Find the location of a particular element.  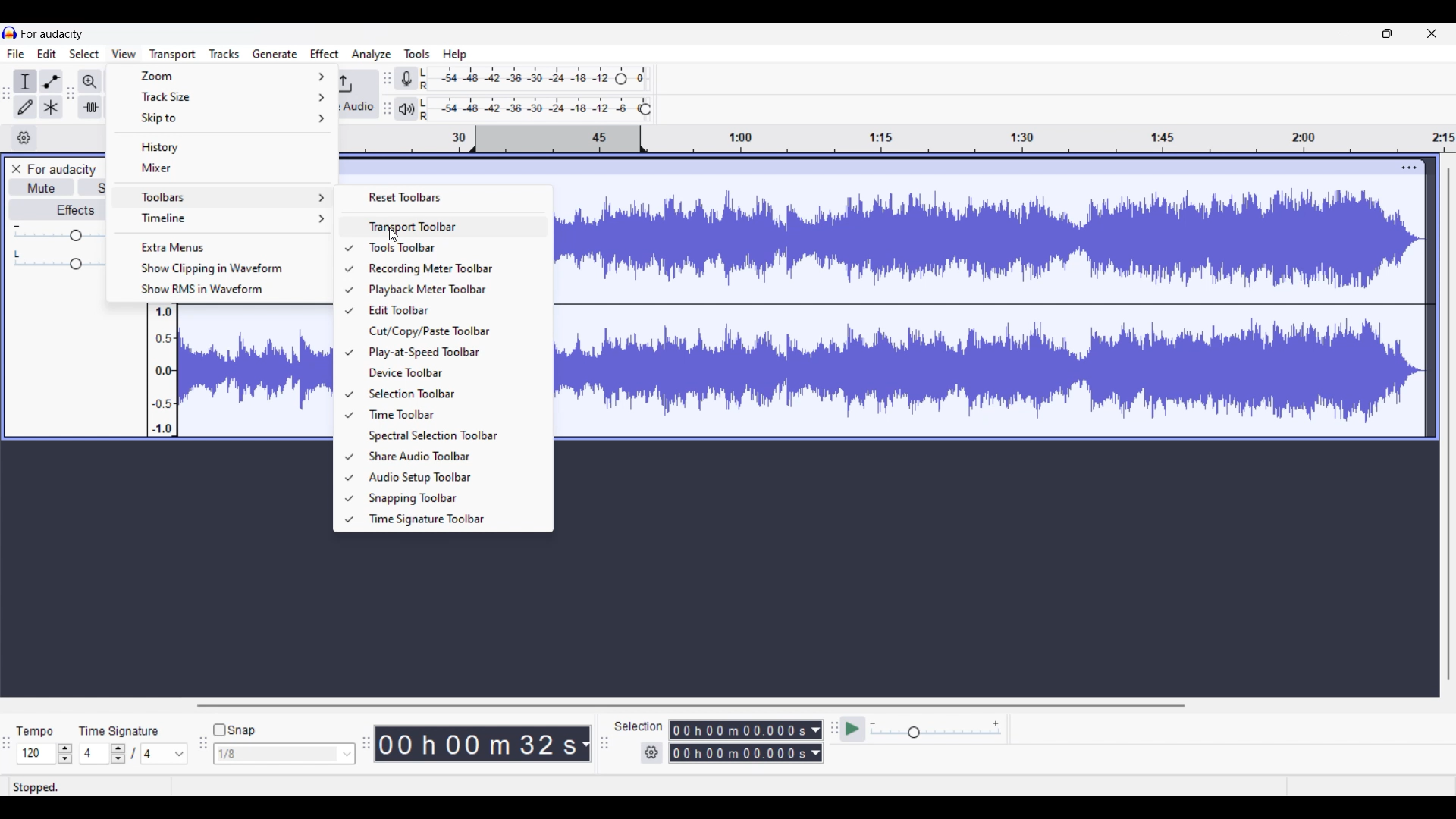

Tracks menu is located at coordinates (224, 54).